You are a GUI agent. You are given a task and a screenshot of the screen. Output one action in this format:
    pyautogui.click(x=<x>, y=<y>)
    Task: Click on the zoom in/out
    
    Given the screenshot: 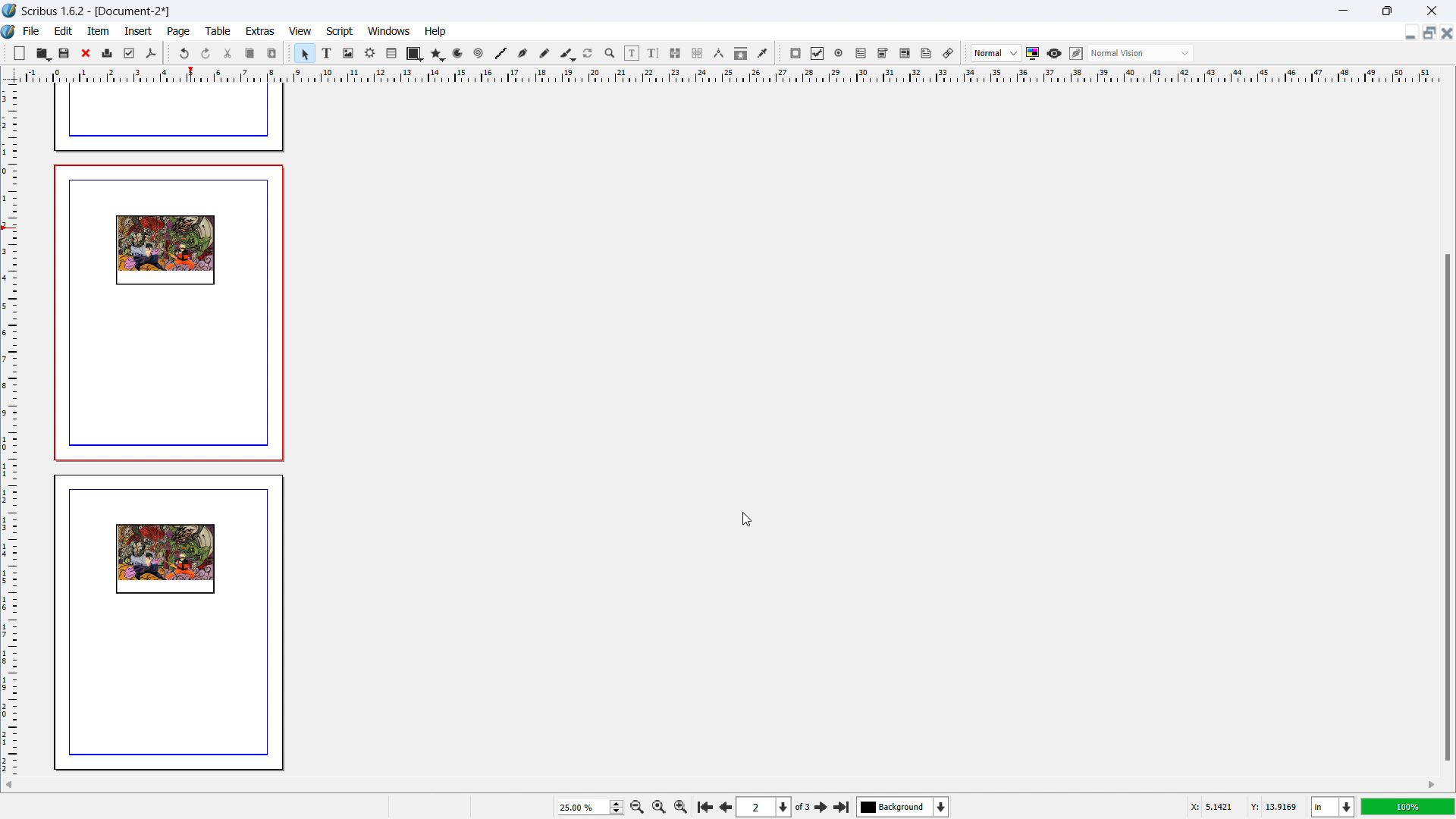 What is the action you would take?
    pyautogui.click(x=610, y=54)
    